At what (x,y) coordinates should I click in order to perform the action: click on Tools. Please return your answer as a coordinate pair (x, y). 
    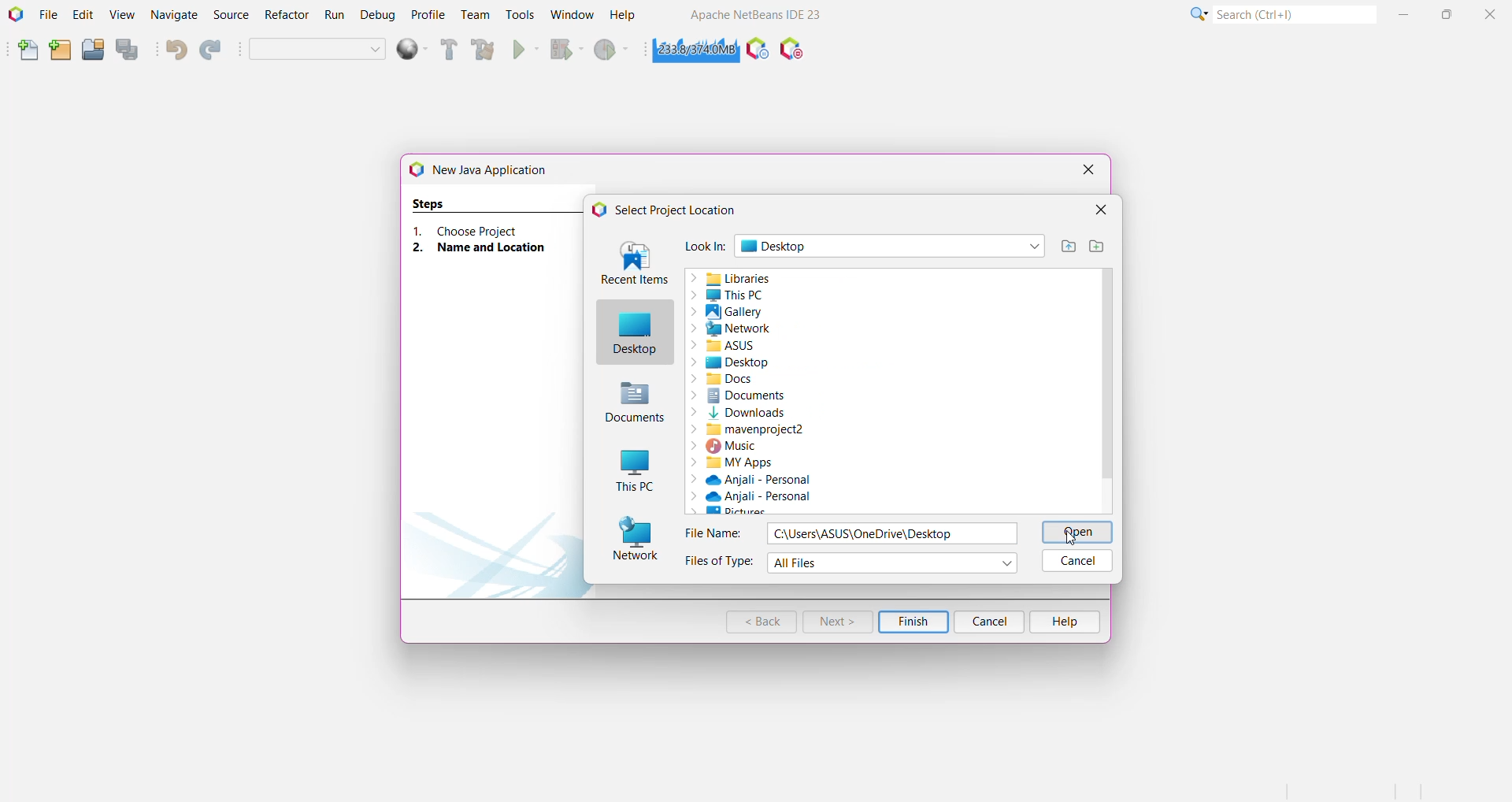
    Looking at the image, I should click on (520, 16).